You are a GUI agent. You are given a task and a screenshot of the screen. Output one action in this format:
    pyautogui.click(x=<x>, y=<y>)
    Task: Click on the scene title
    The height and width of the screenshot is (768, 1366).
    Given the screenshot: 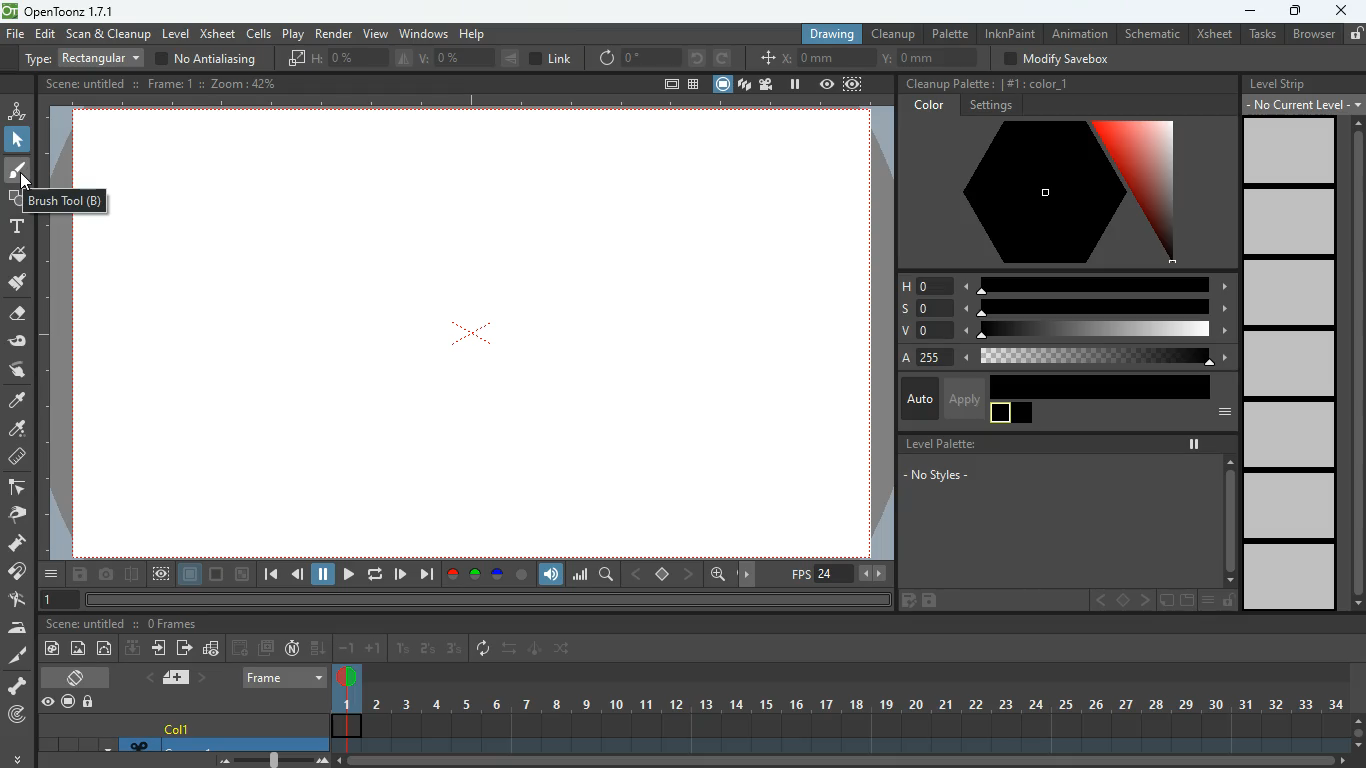 What is the action you would take?
    pyautogui.click(x=90, y=624)
    